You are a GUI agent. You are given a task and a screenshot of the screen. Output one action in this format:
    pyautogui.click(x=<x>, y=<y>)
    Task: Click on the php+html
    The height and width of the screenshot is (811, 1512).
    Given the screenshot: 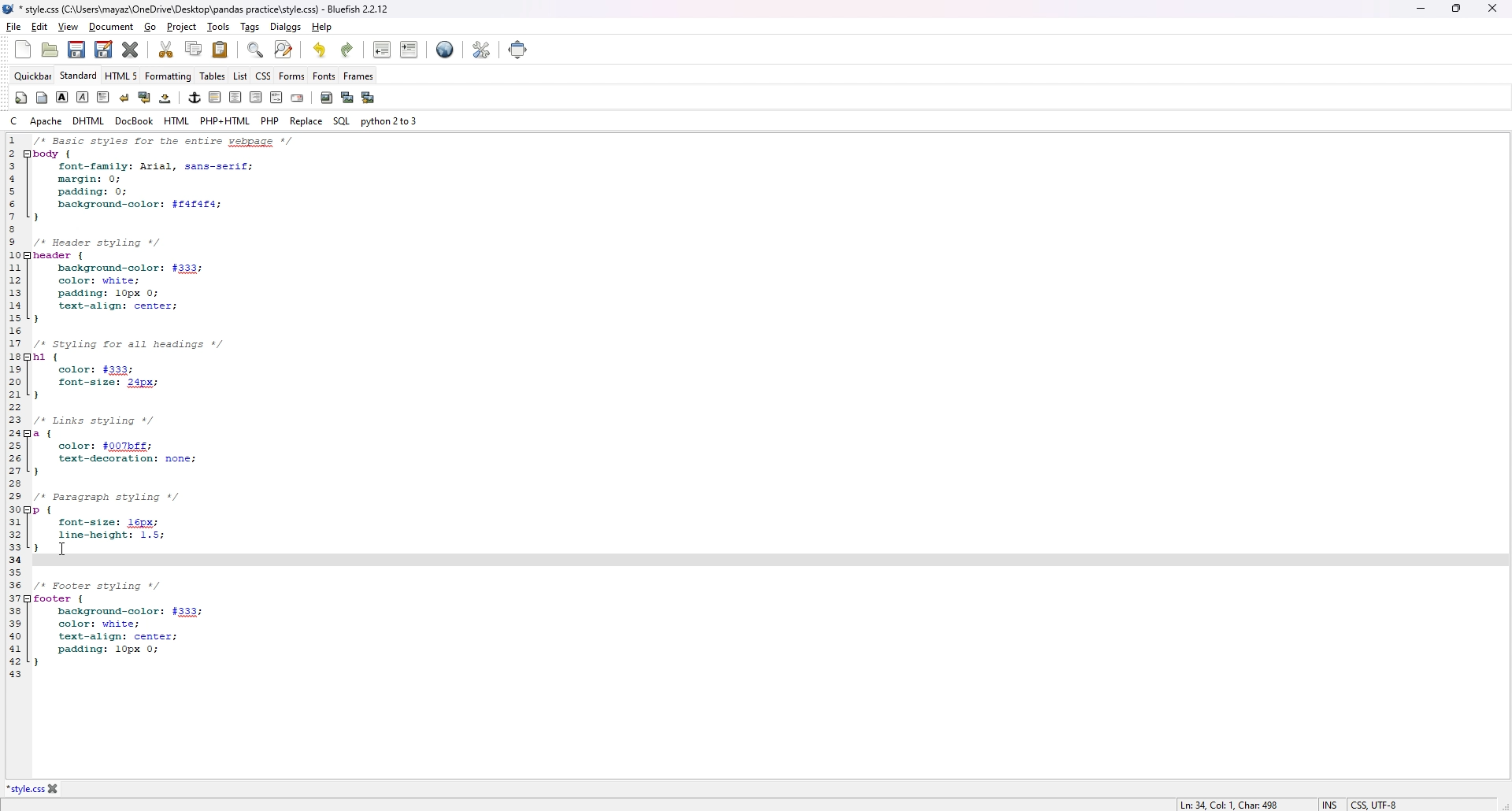 What is the action you would take?
    pyautogui.click(x=225, y=120)
    